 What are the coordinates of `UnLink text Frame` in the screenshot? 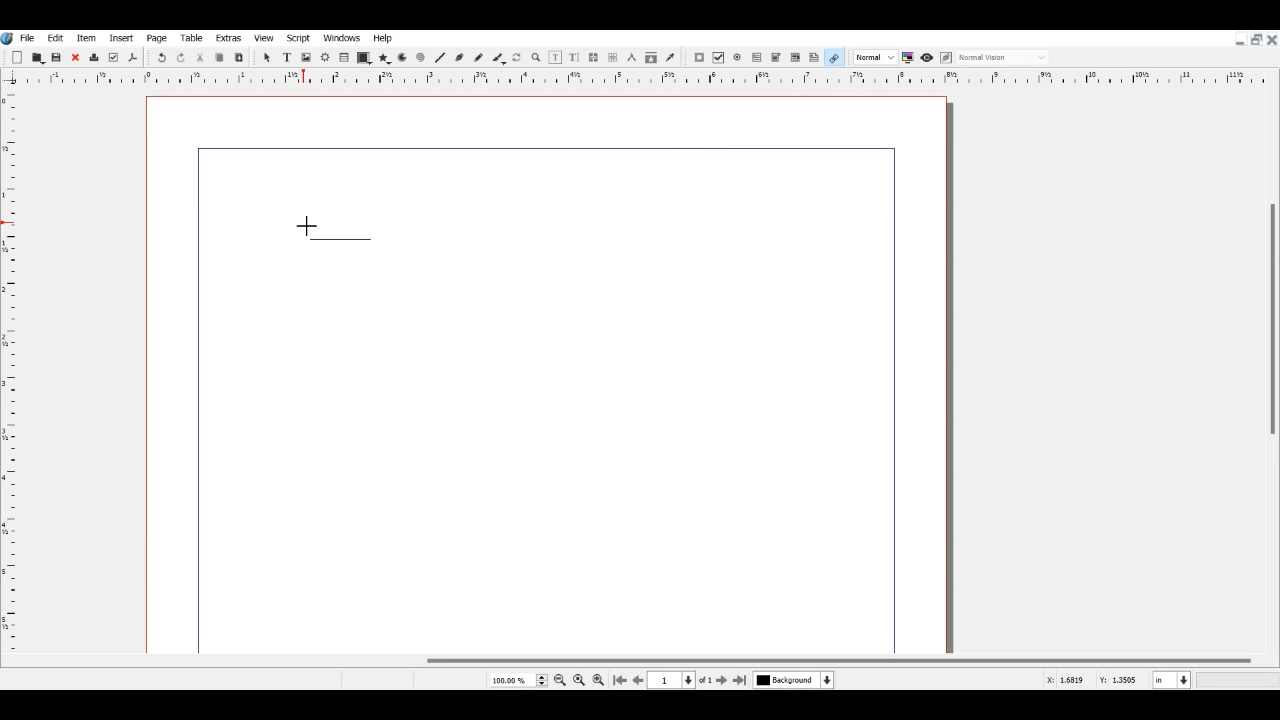 It's located at (613, 58).